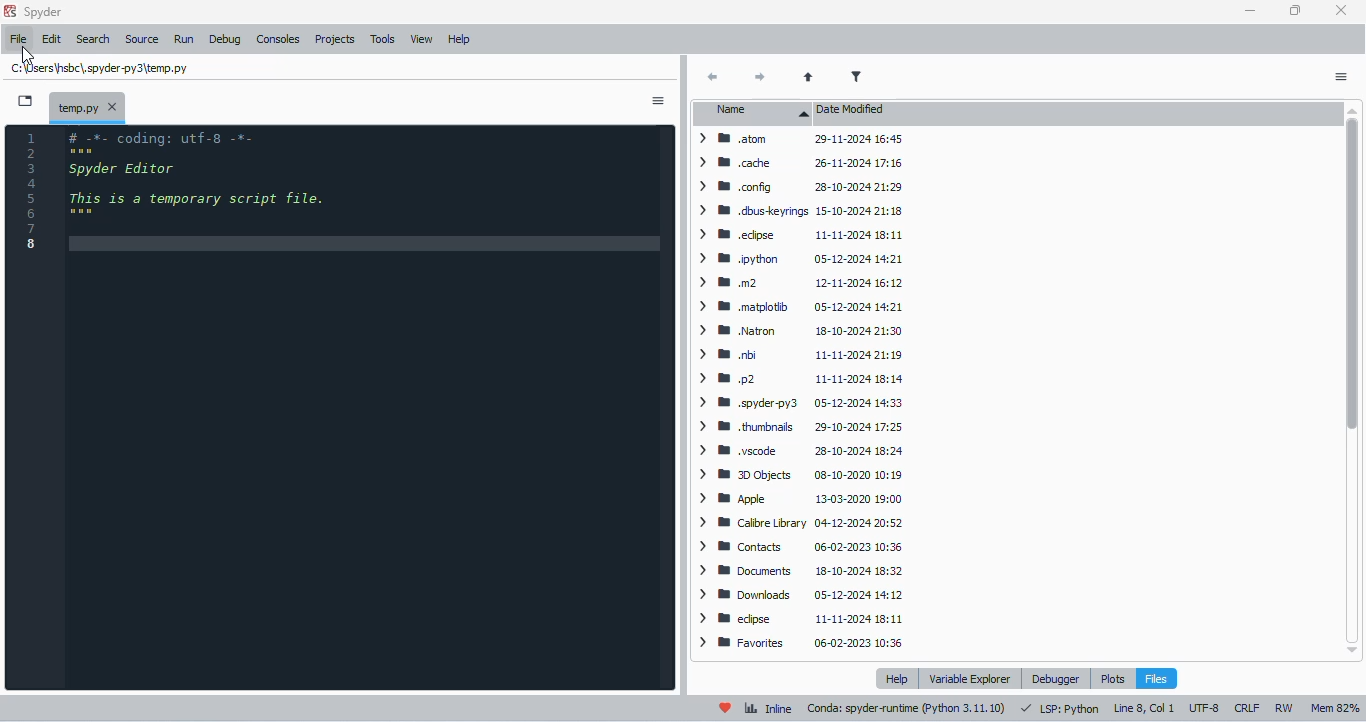 The width and height of the screenshot is (1366, 722). What do you see at coordinates (1349, 378) in the screenshot?
I see `vertical scroll bar` at bounding box center [1349, 378].